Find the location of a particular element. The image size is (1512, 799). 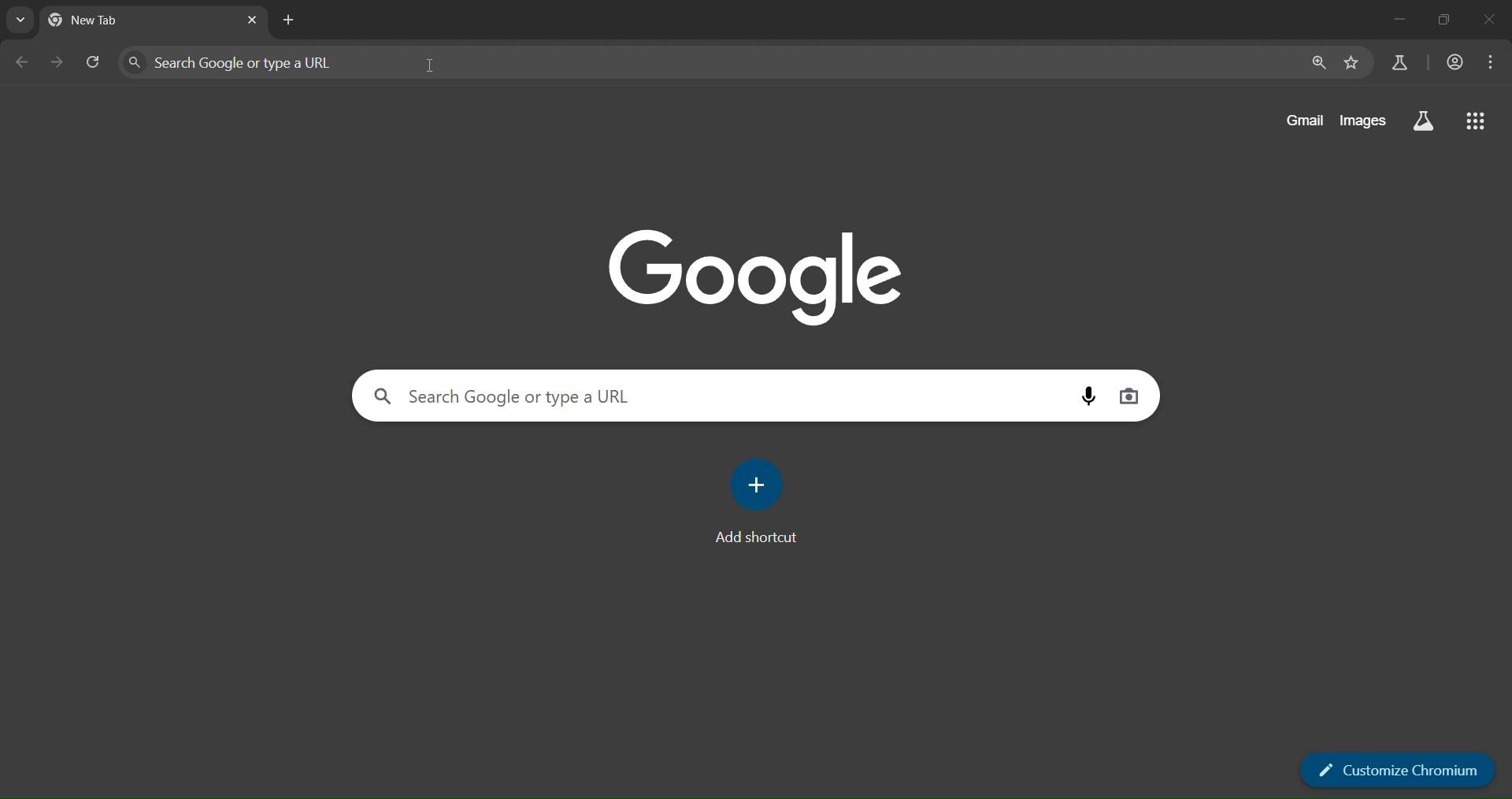

gmail is located at coordinates (1301, 119).